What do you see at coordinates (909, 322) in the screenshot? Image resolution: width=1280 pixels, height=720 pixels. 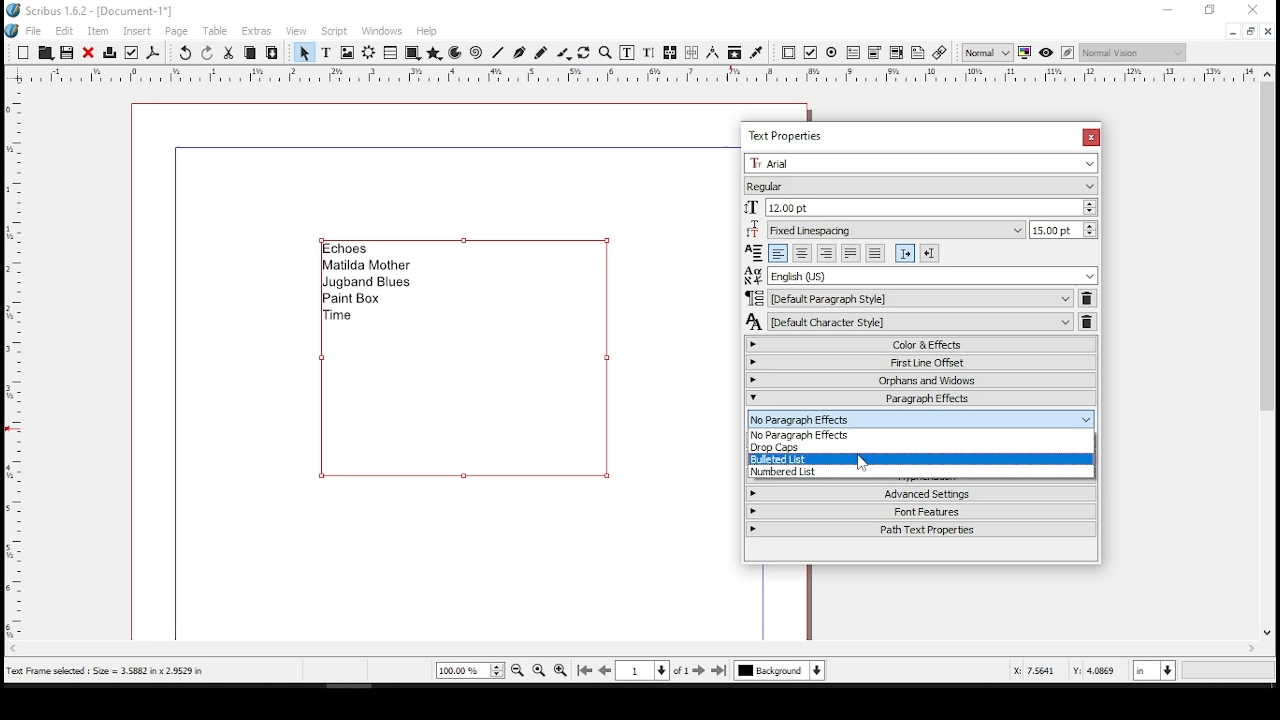 I see `character style` at bounding box center [909, 322].